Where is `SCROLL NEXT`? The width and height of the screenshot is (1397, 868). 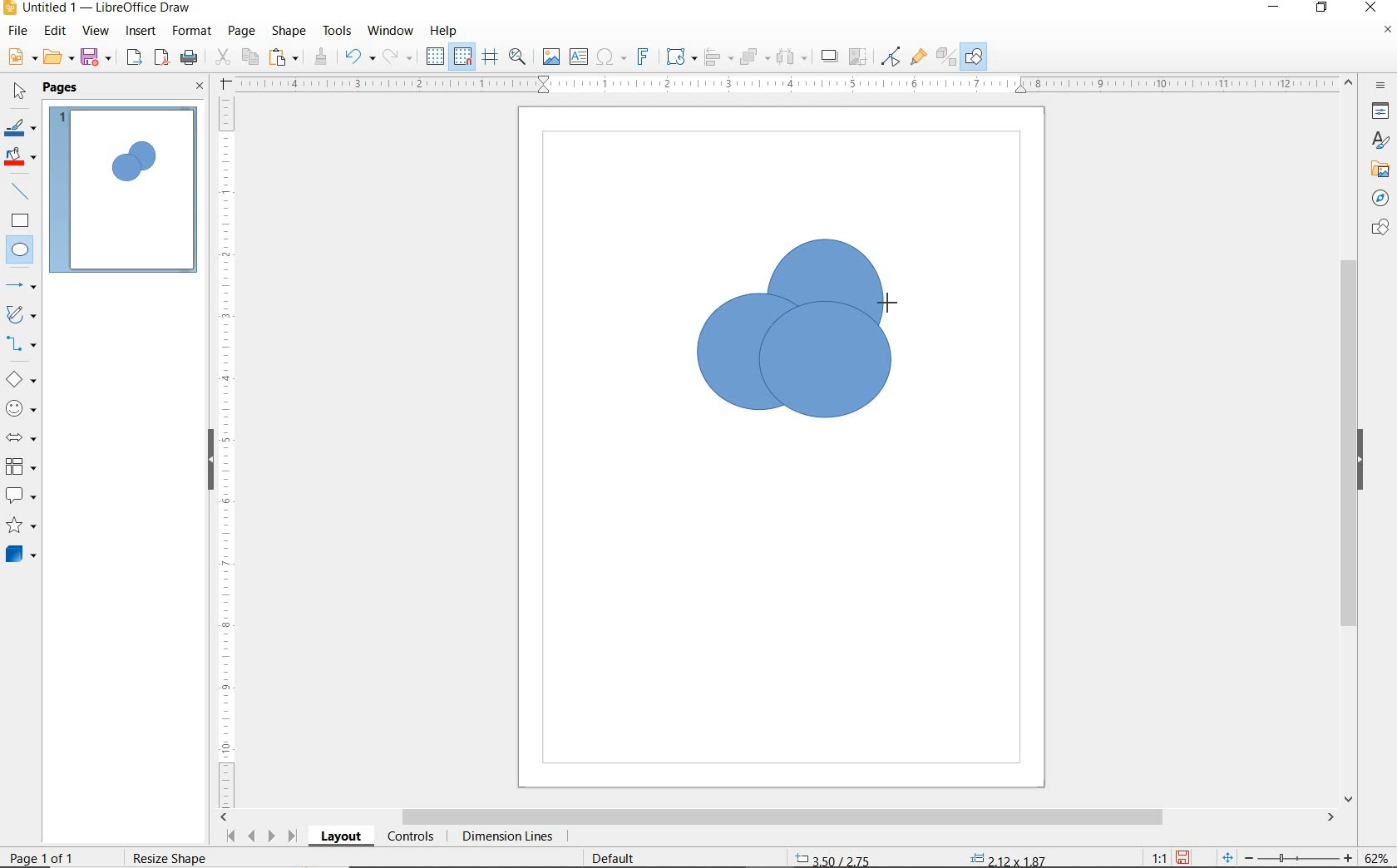
SCROLL NEXT is located at coordinates (259, 836).